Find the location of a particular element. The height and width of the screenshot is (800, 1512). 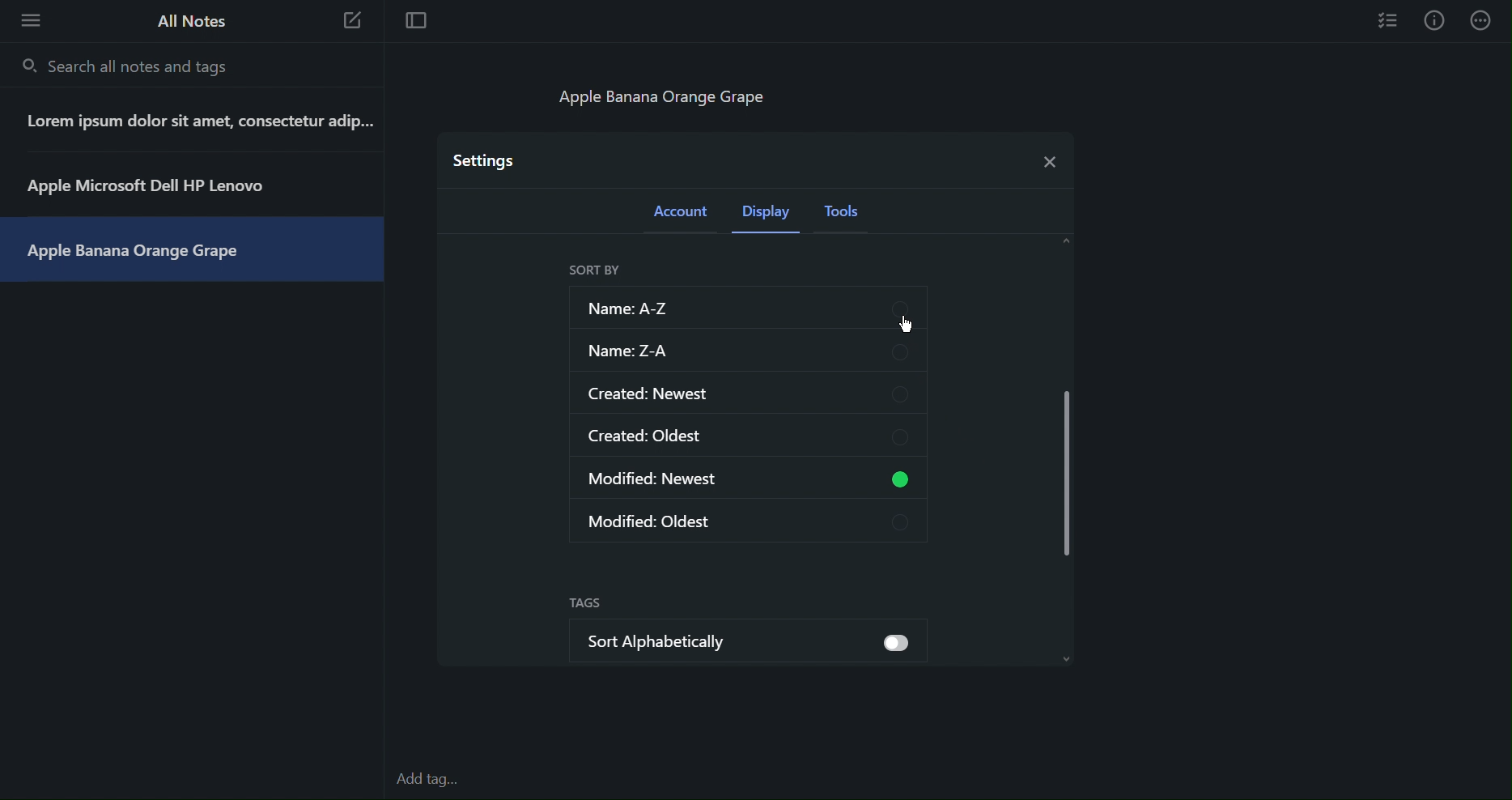

scroll down is located at coordinates (1067, 658).